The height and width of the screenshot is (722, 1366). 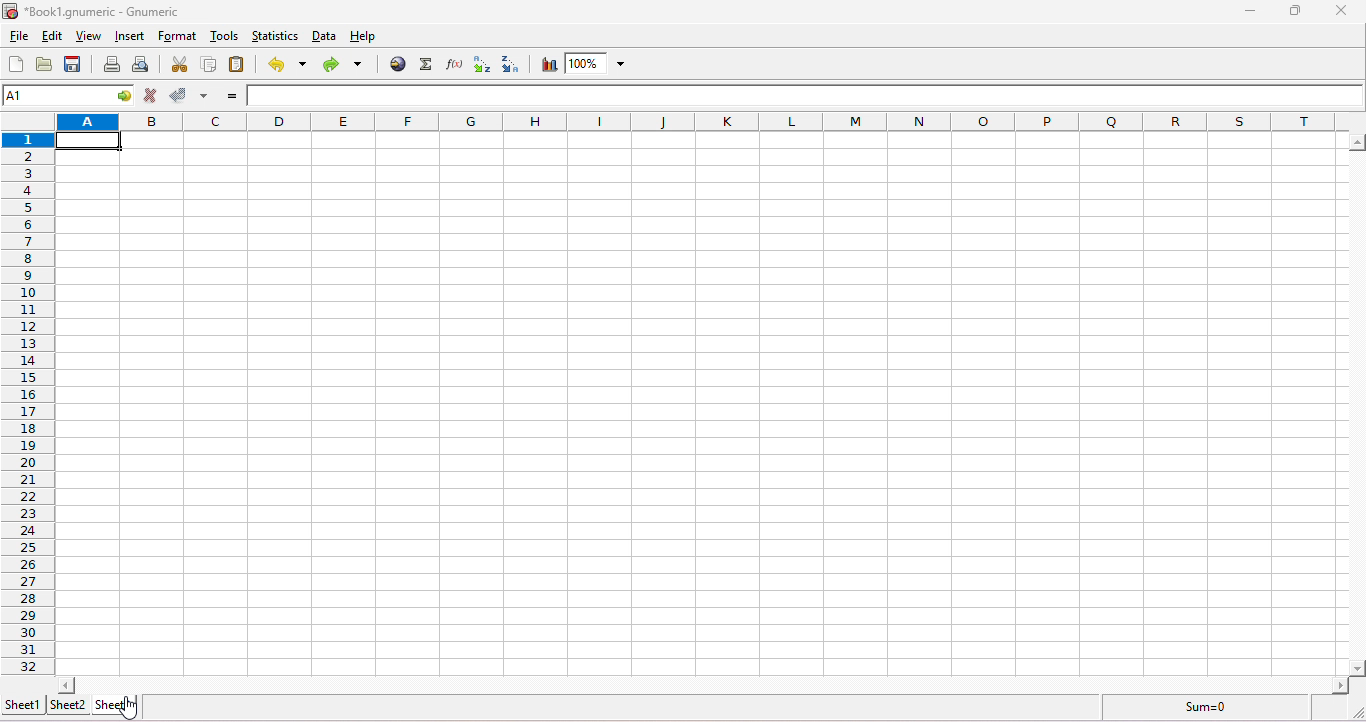 What do you see at coordinates (152, 98) in the screenshot?
I see `cancel change` at bounding box center [152, 98].